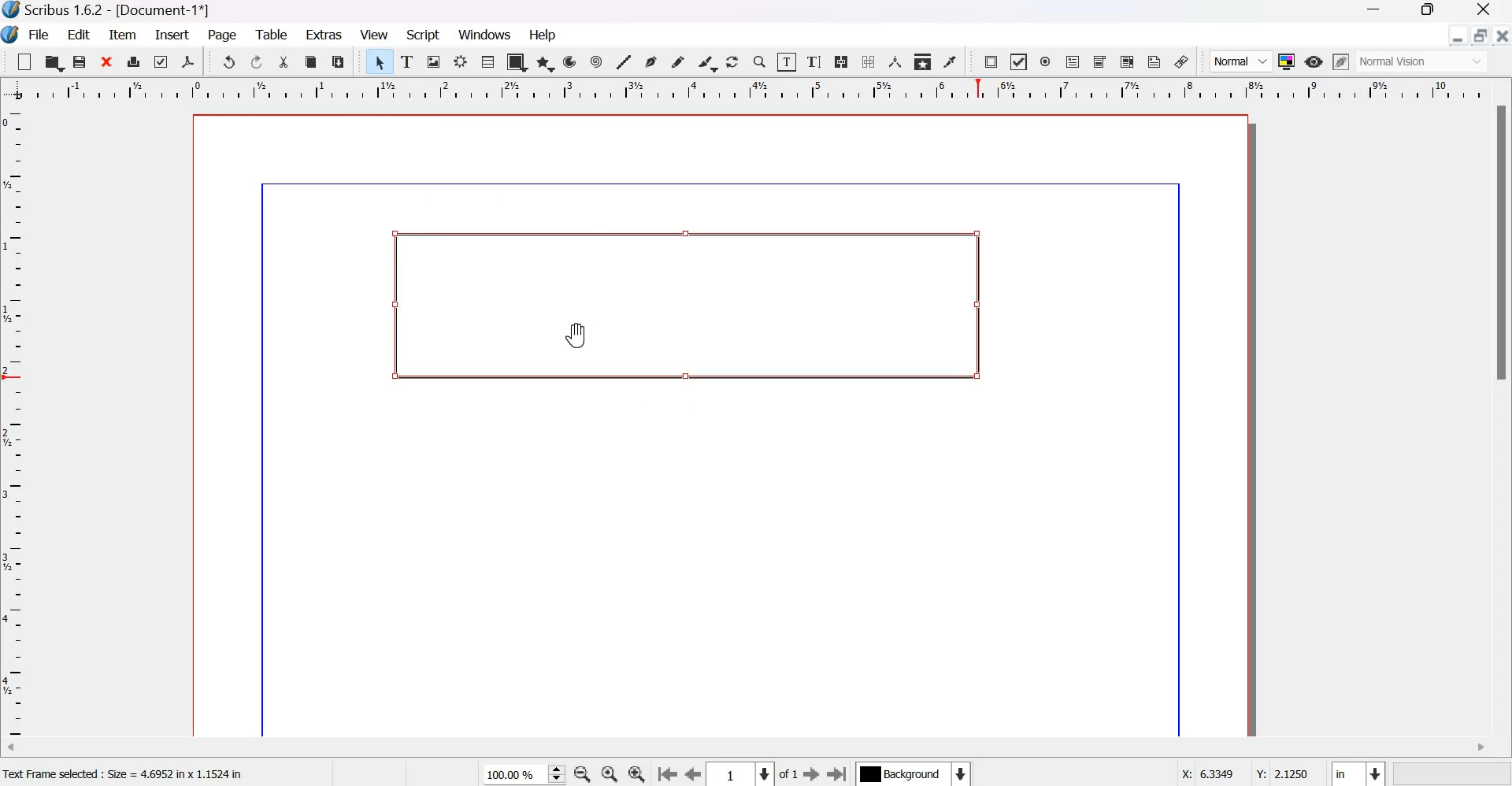  I want to click on zoom out, so click(582, 774).